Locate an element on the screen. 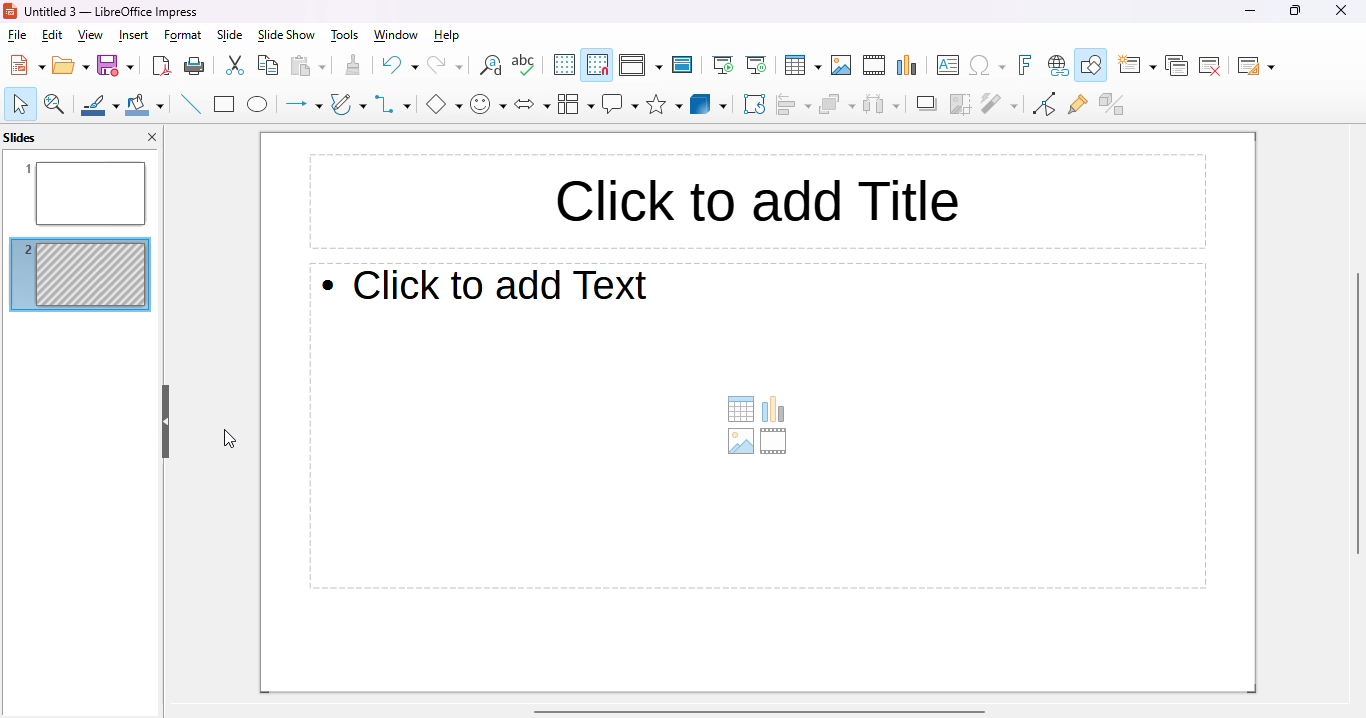  connectors is located at coordinates (393, 103).